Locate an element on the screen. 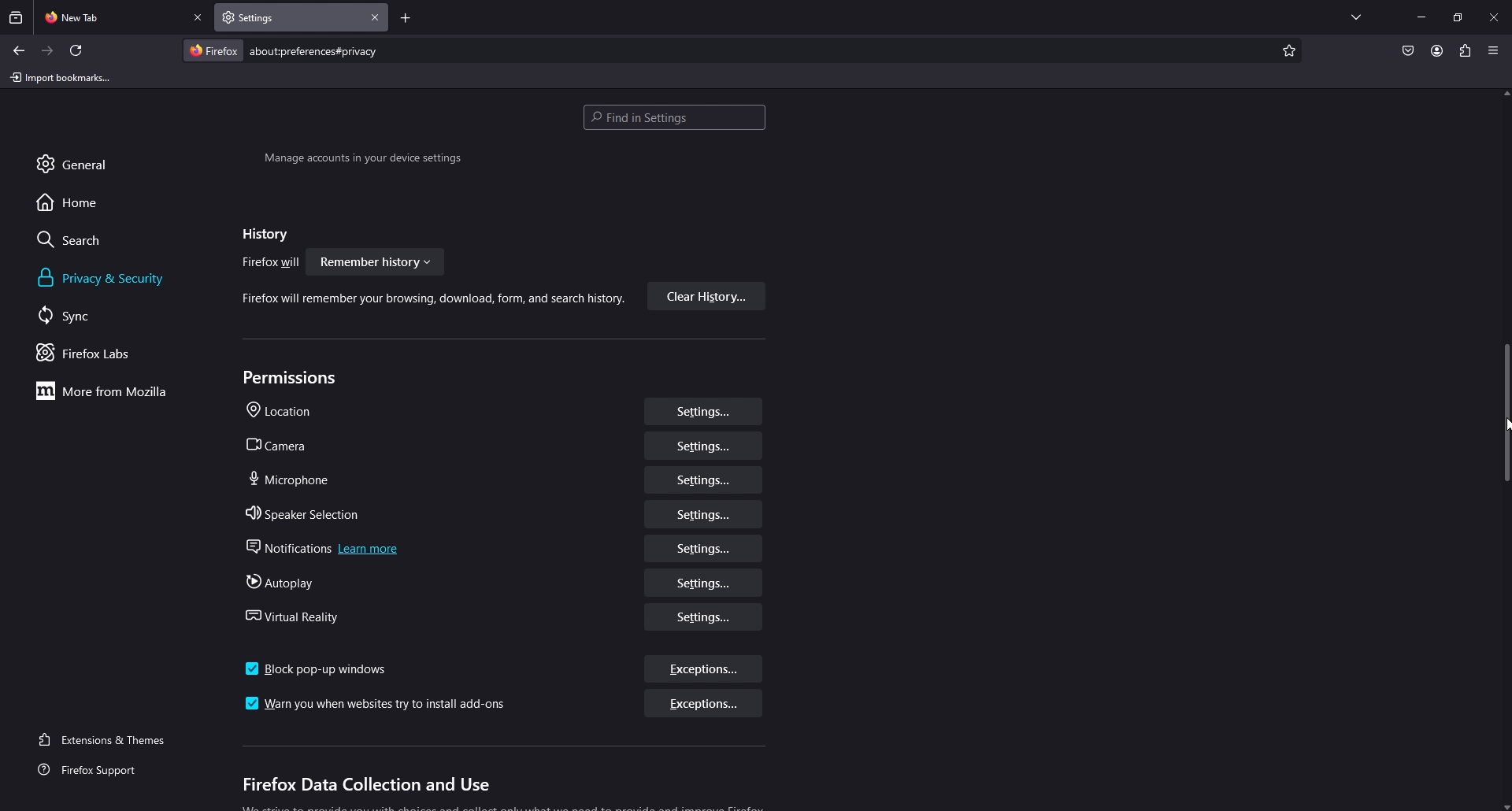 The image size is (1512, 811). new tab is located at coordinates (111, 16).